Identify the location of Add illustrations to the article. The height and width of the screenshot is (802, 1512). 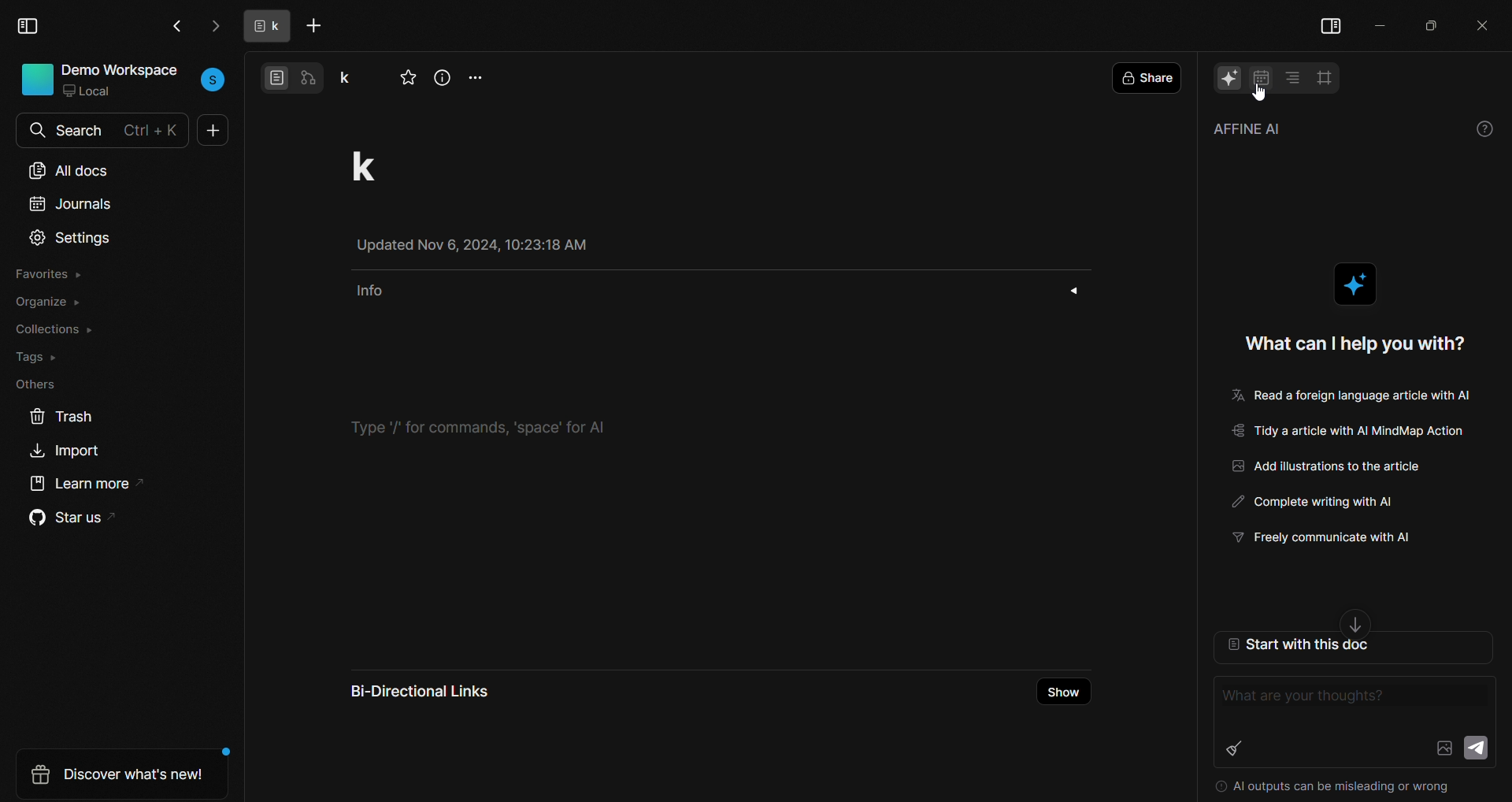
(1327, 467).